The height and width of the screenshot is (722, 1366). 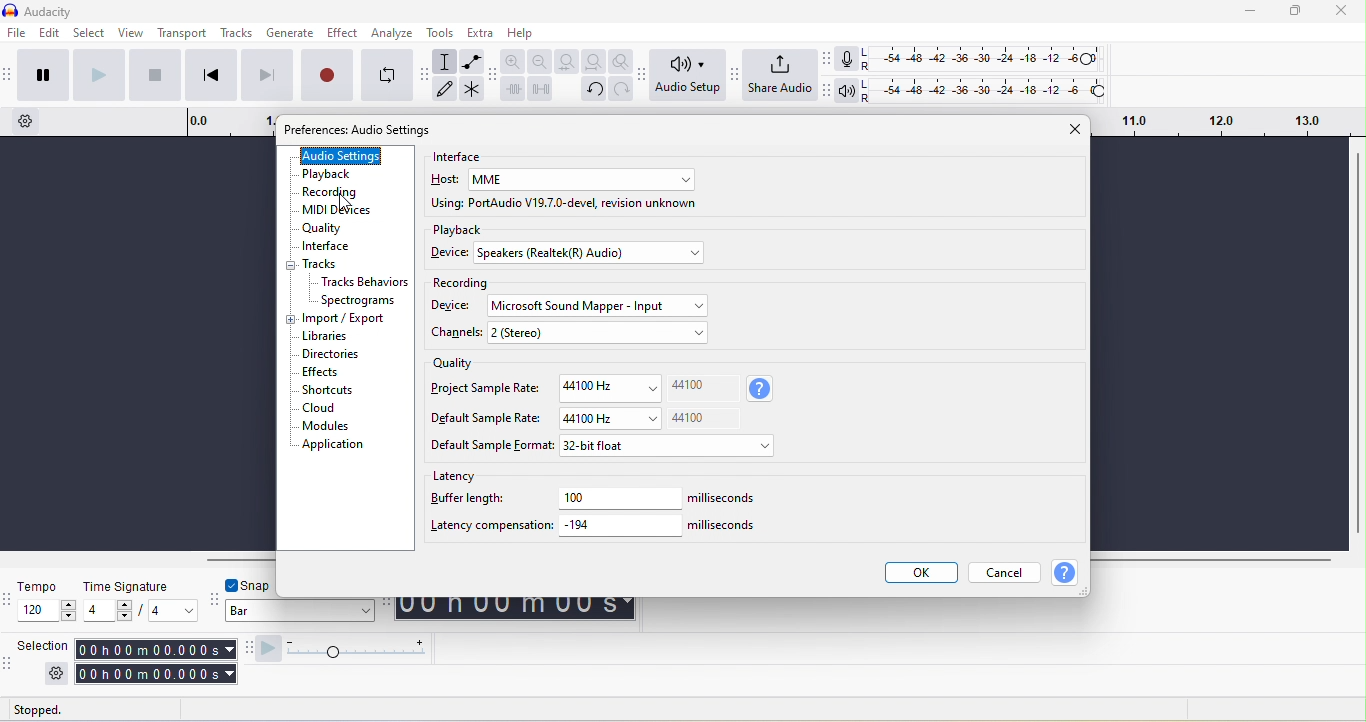 What do you see at coordinates (923, 572) in the screenshot?
I see `ok` at bounding box center [923, 572].